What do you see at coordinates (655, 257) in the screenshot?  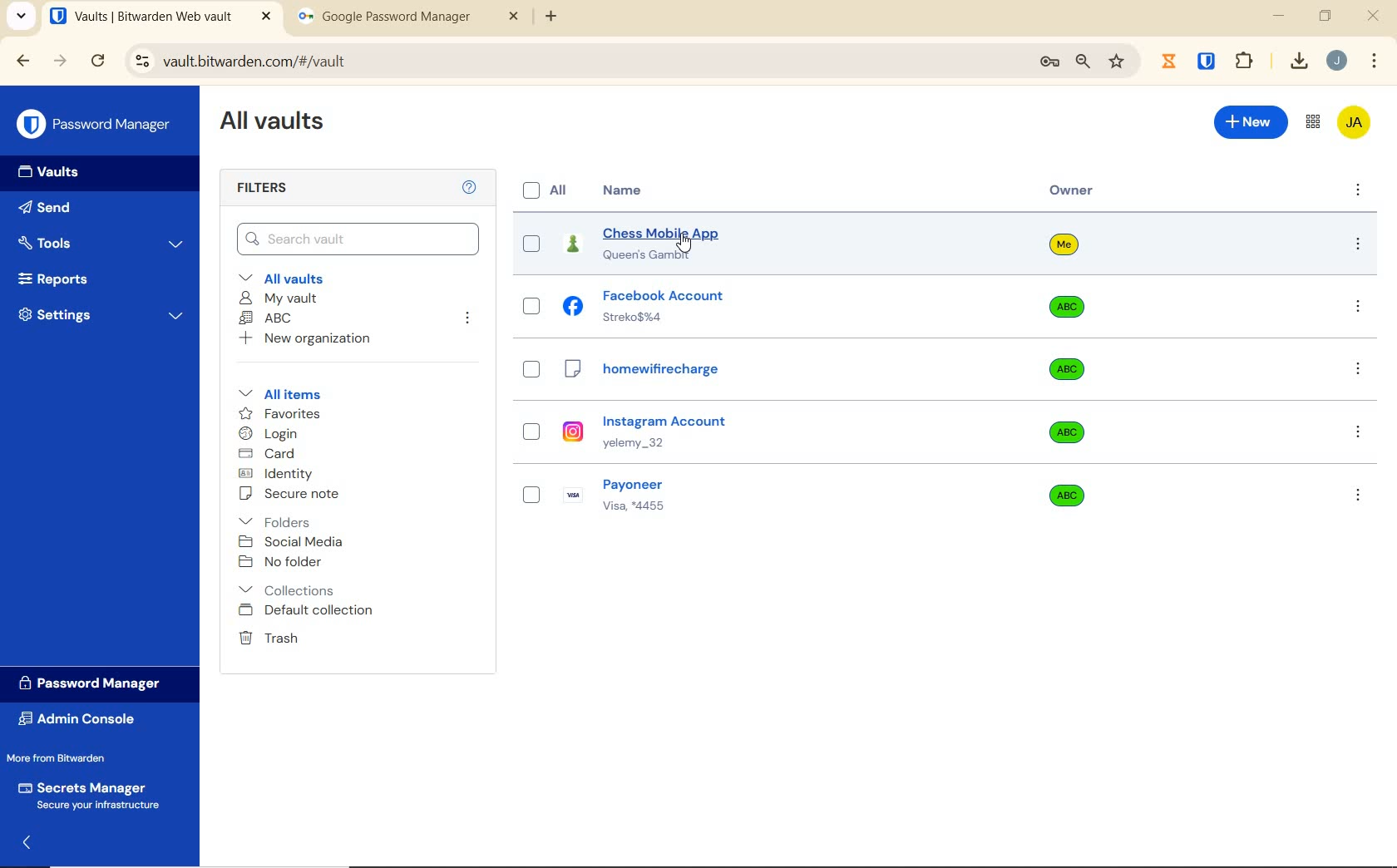 I see `Queen's gambit` at bounding box center [655, 257].